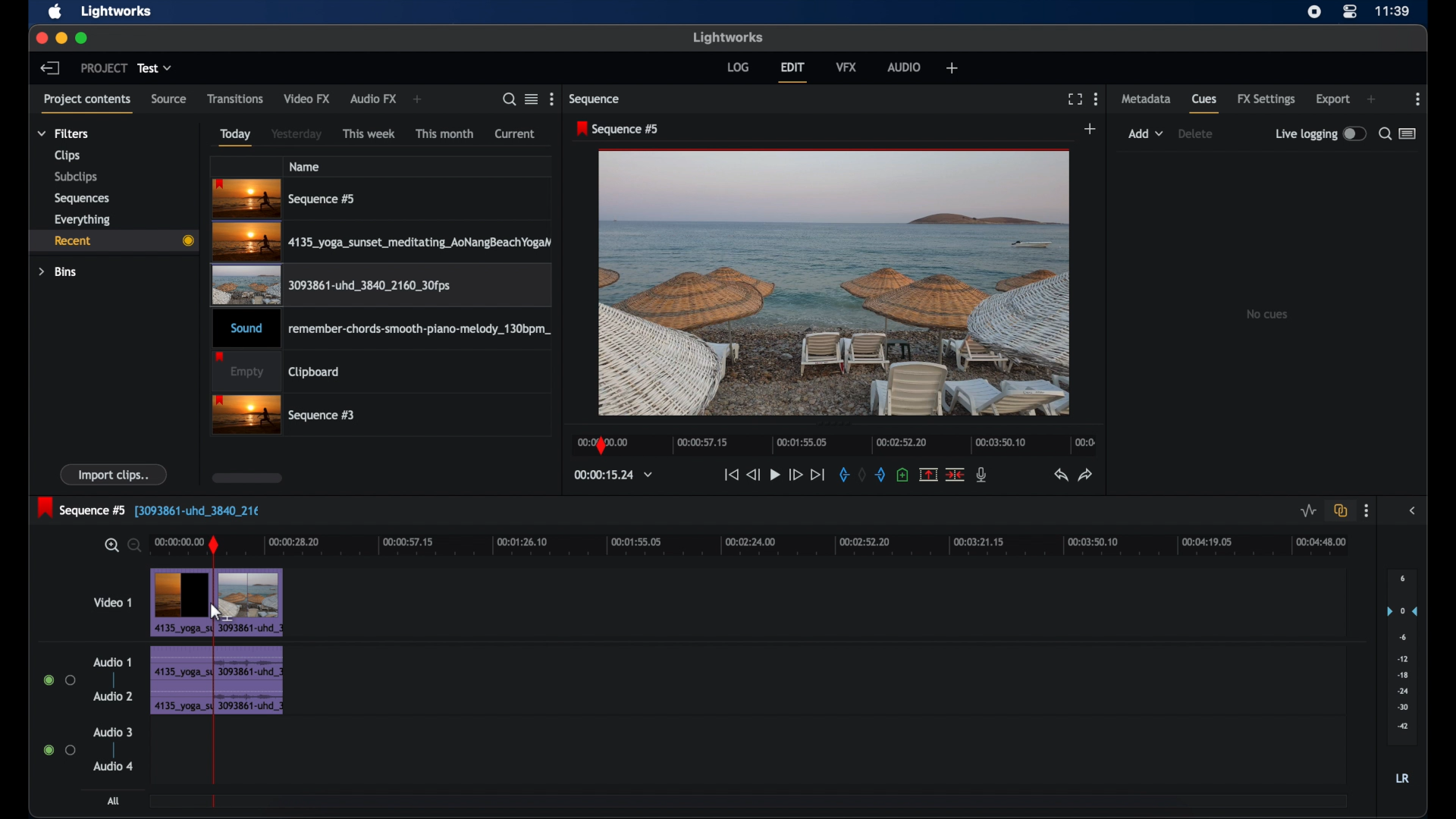  I want to click on fx settings, so click(1268, 99).